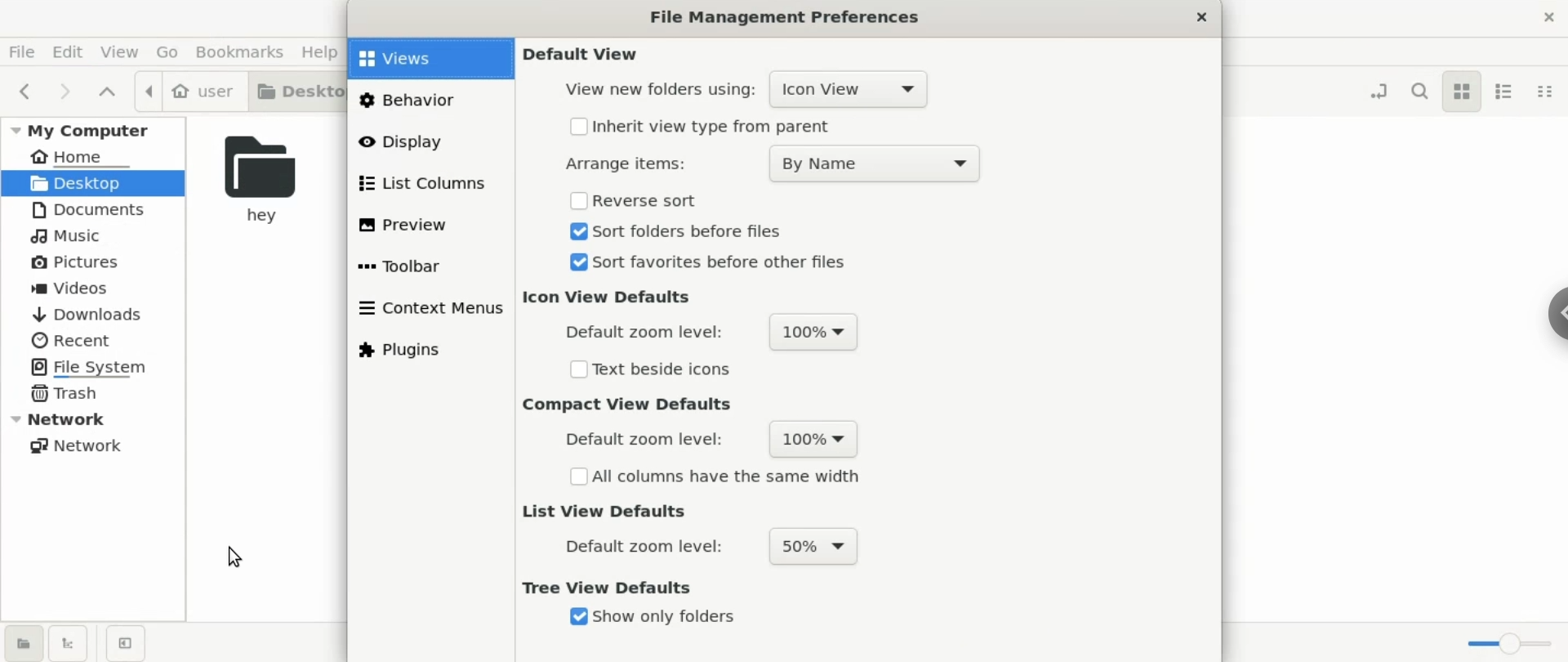 The height and width of the screenshot is (662, 1568). What do you see at coordinates (77, 290) in the screenshot?
I see `videos` at bounding box center [77, 290].